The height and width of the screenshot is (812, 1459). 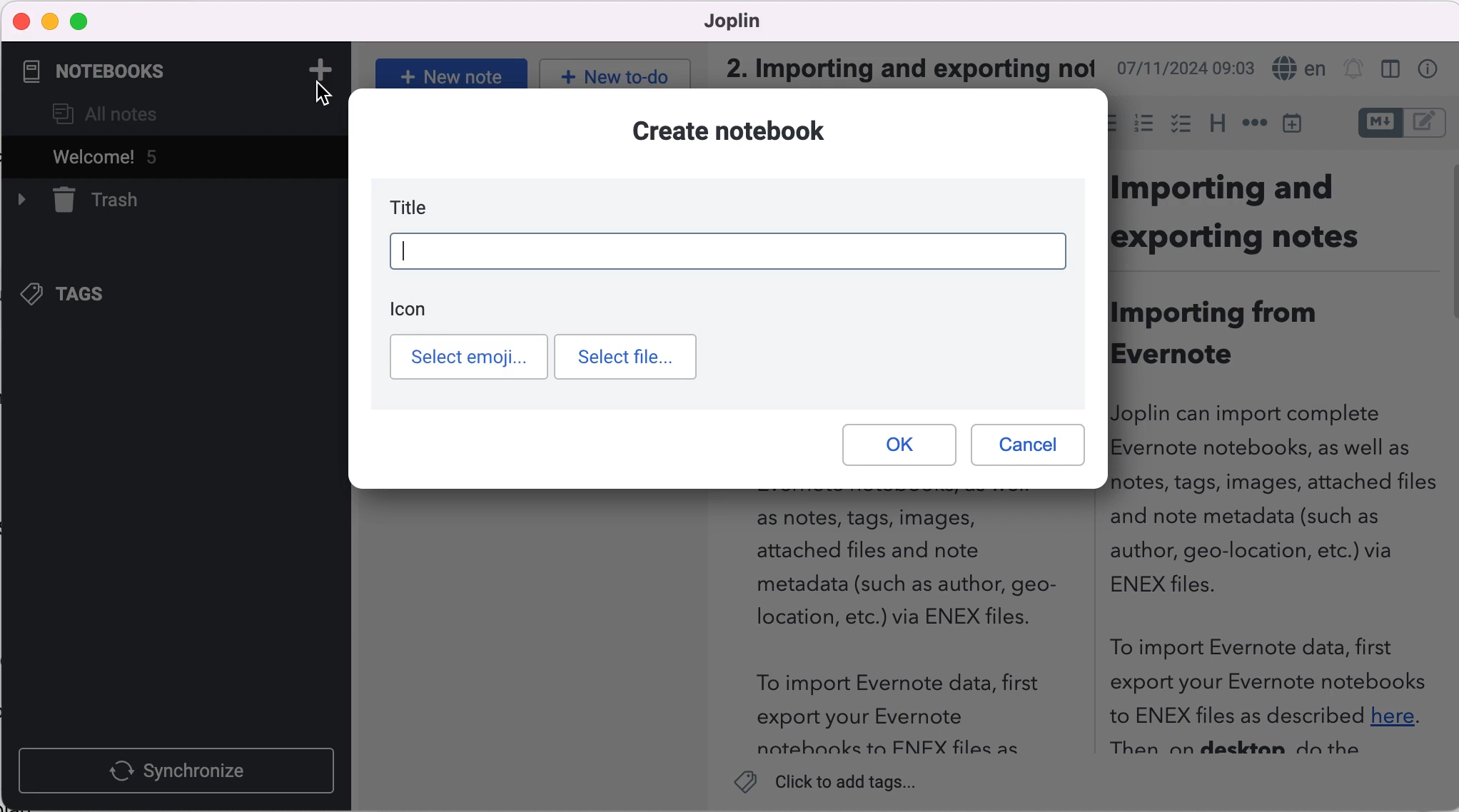 I want to click on title, so click(x=418, y=207).